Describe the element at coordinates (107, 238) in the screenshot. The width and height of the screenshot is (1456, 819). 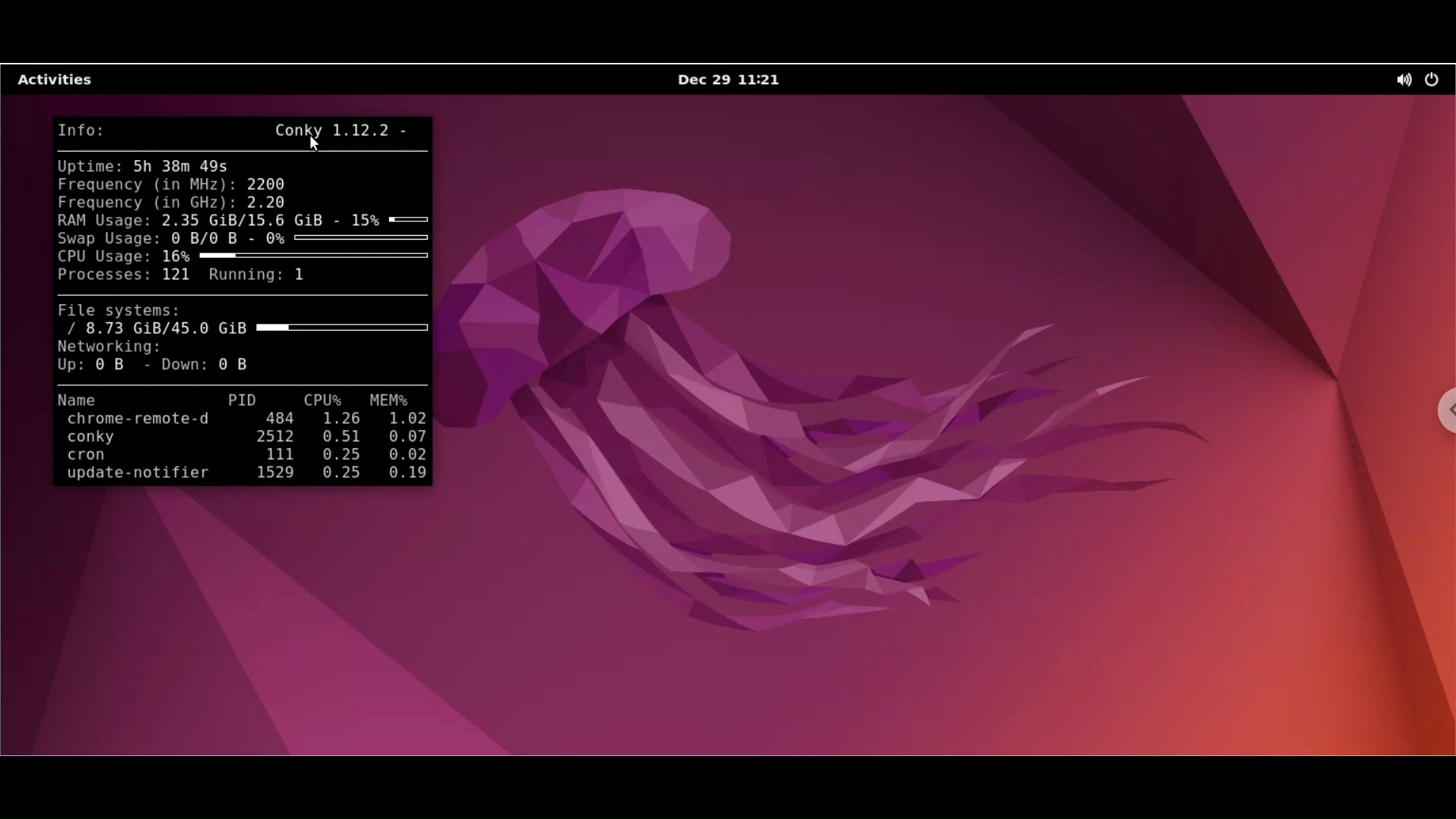
I see `swap usage:` at that location.